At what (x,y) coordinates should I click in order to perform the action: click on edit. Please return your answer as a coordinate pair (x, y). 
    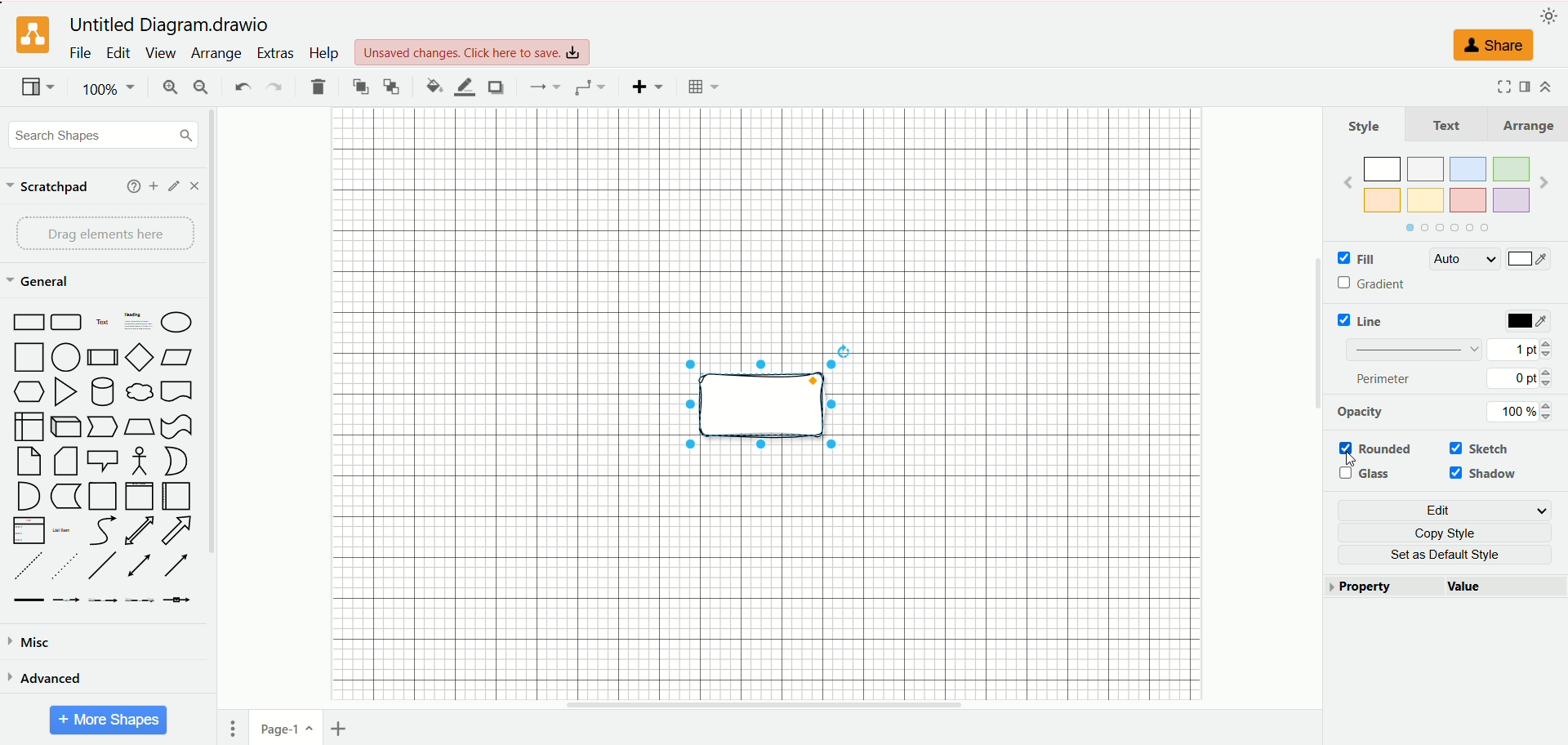
    Looking at the image, I should click on (175, 186).